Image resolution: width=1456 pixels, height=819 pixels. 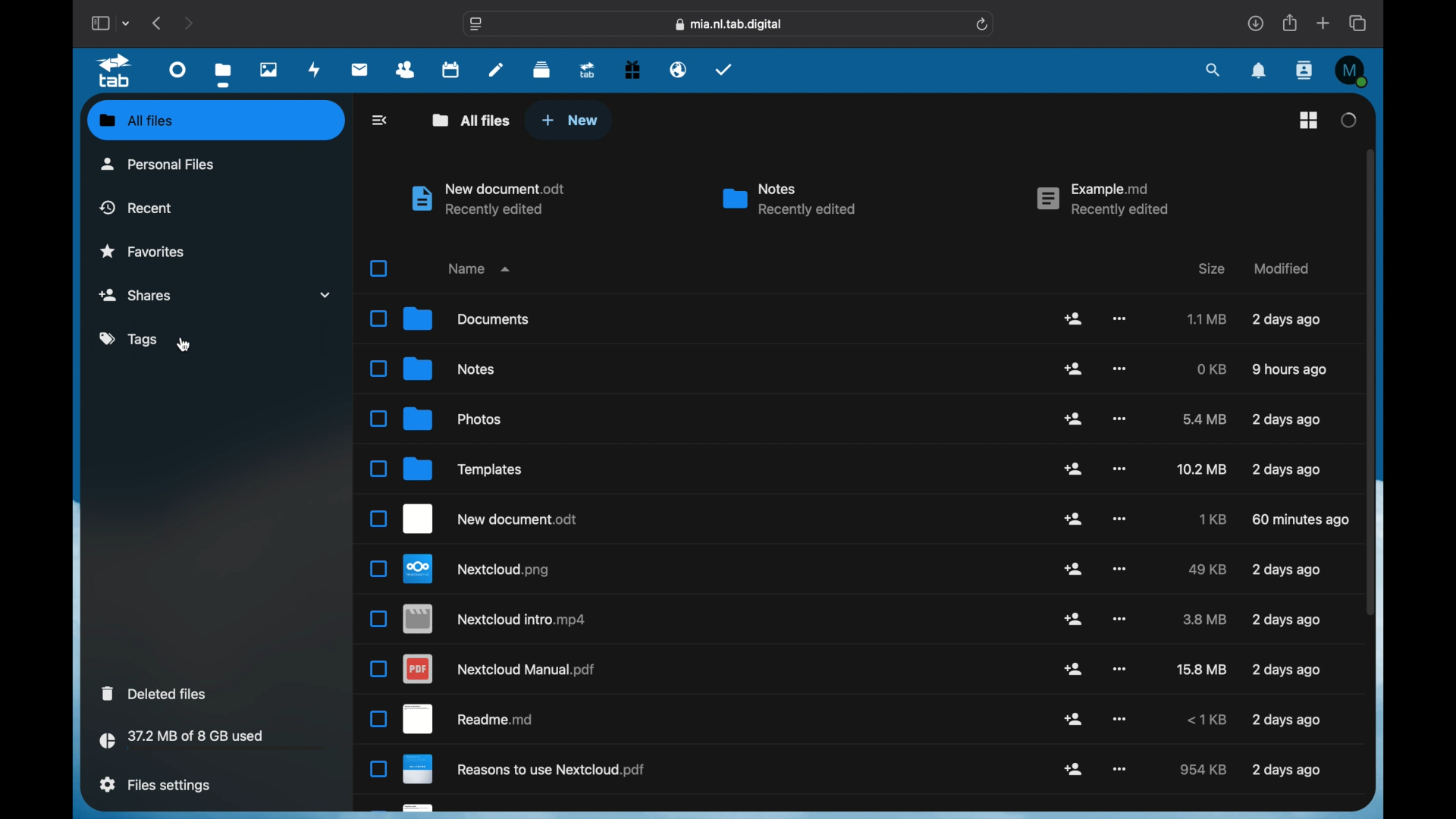 What do you see at coordinates (1119, 519) in the screenshot?
I see `more options` at bounding box center [1119, 519].